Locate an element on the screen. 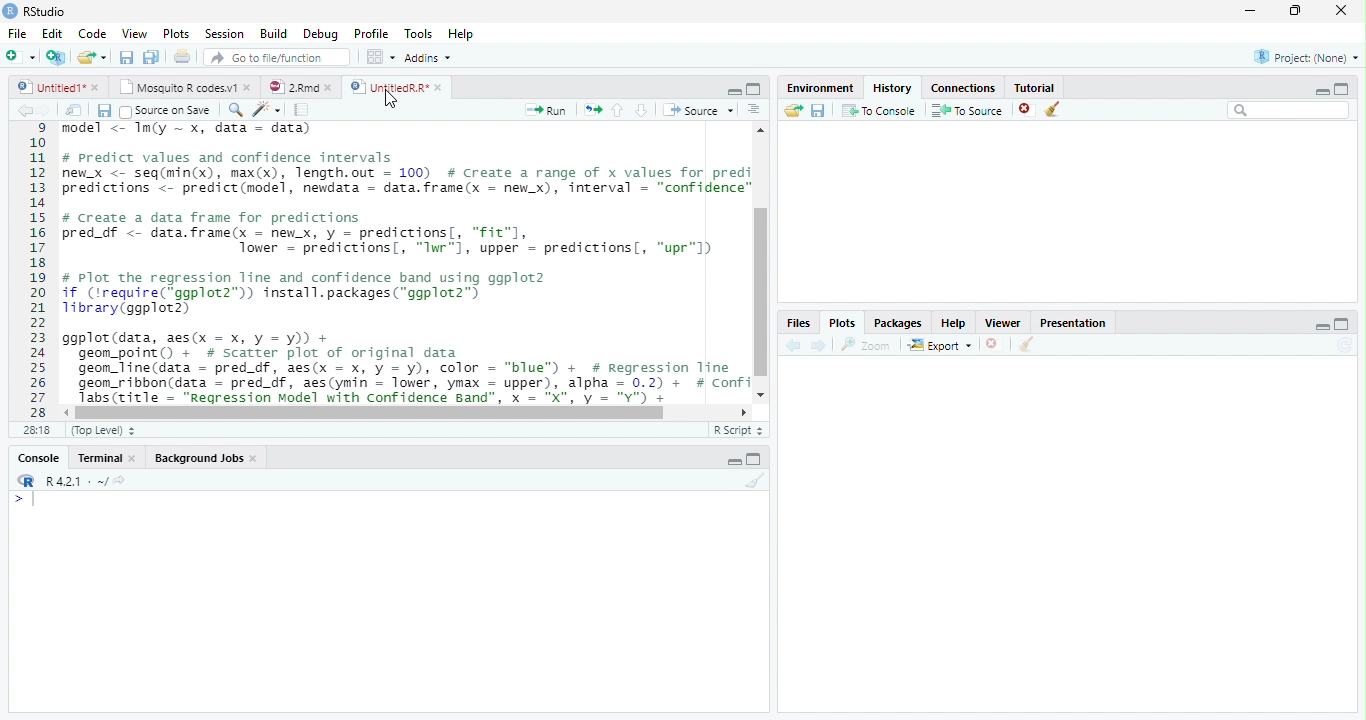 Image resolution: width=1366 pixels, height=720 pixels. Background Jobs is located at coordinates (205, 457).